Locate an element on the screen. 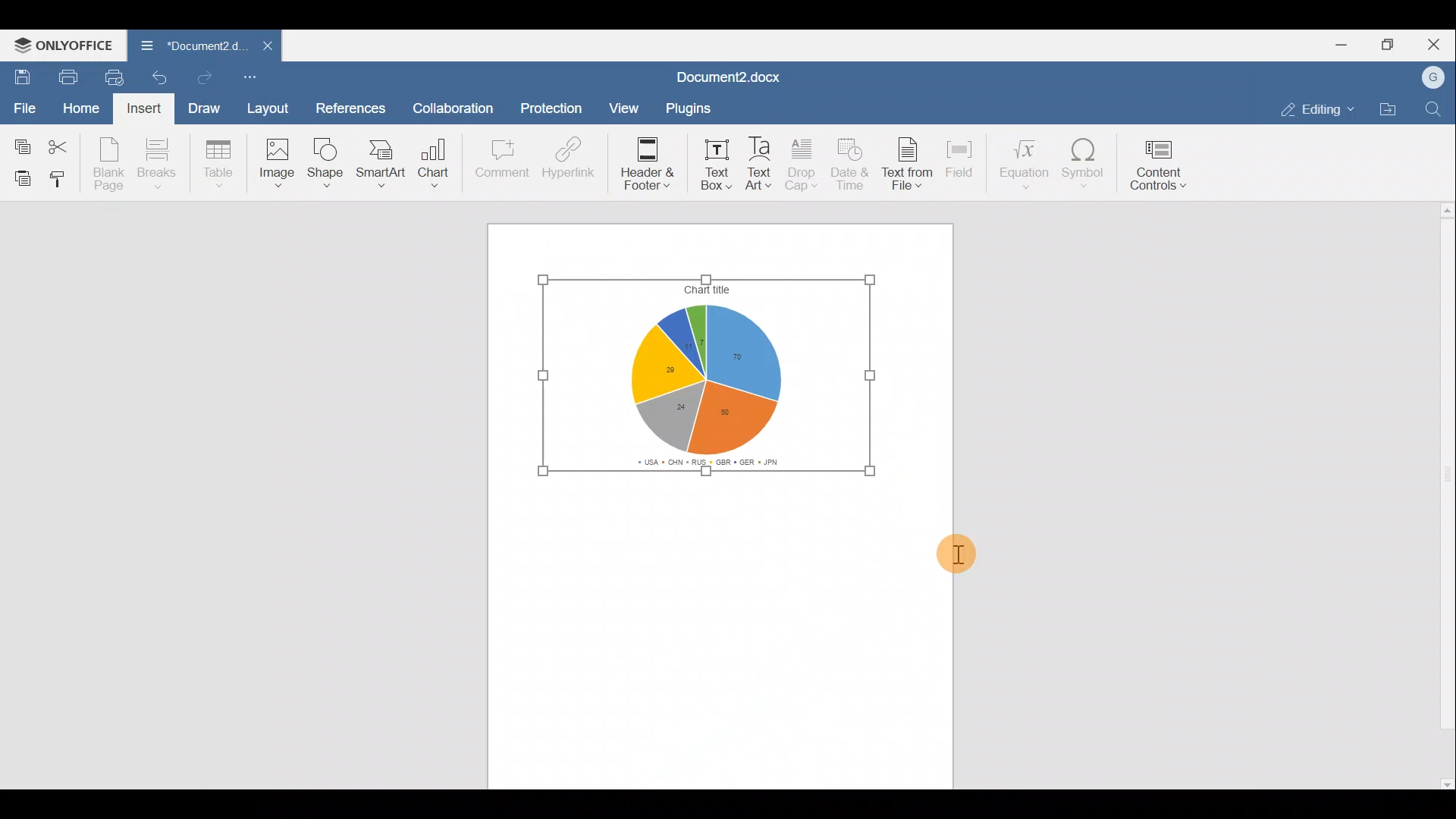  Copy is located at coordinates (19, 144).